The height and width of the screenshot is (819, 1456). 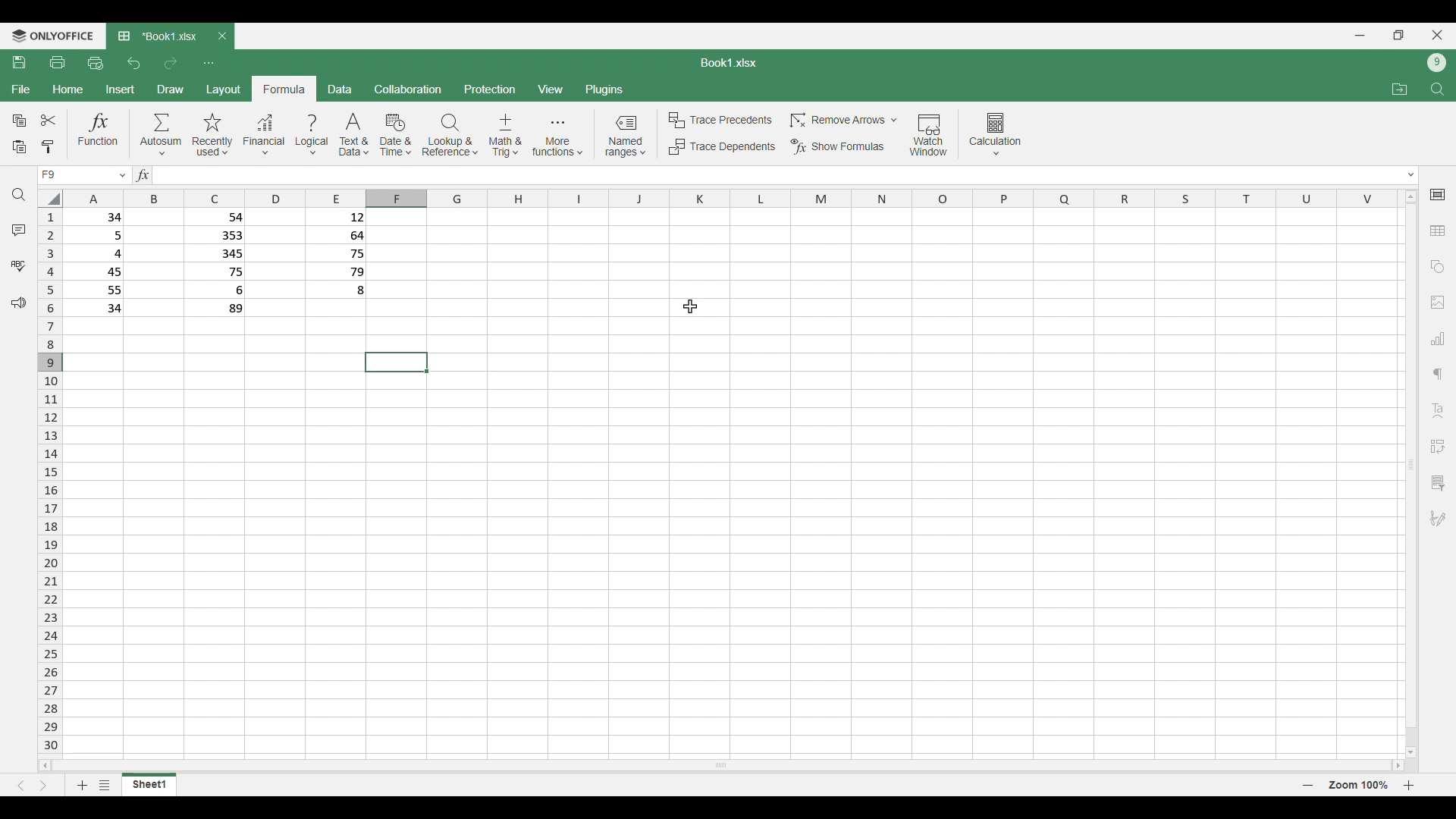 What do you see at coordinates (729, 63) in the screenshot?
I see `Sheet name` at bounding box center [729, 63].